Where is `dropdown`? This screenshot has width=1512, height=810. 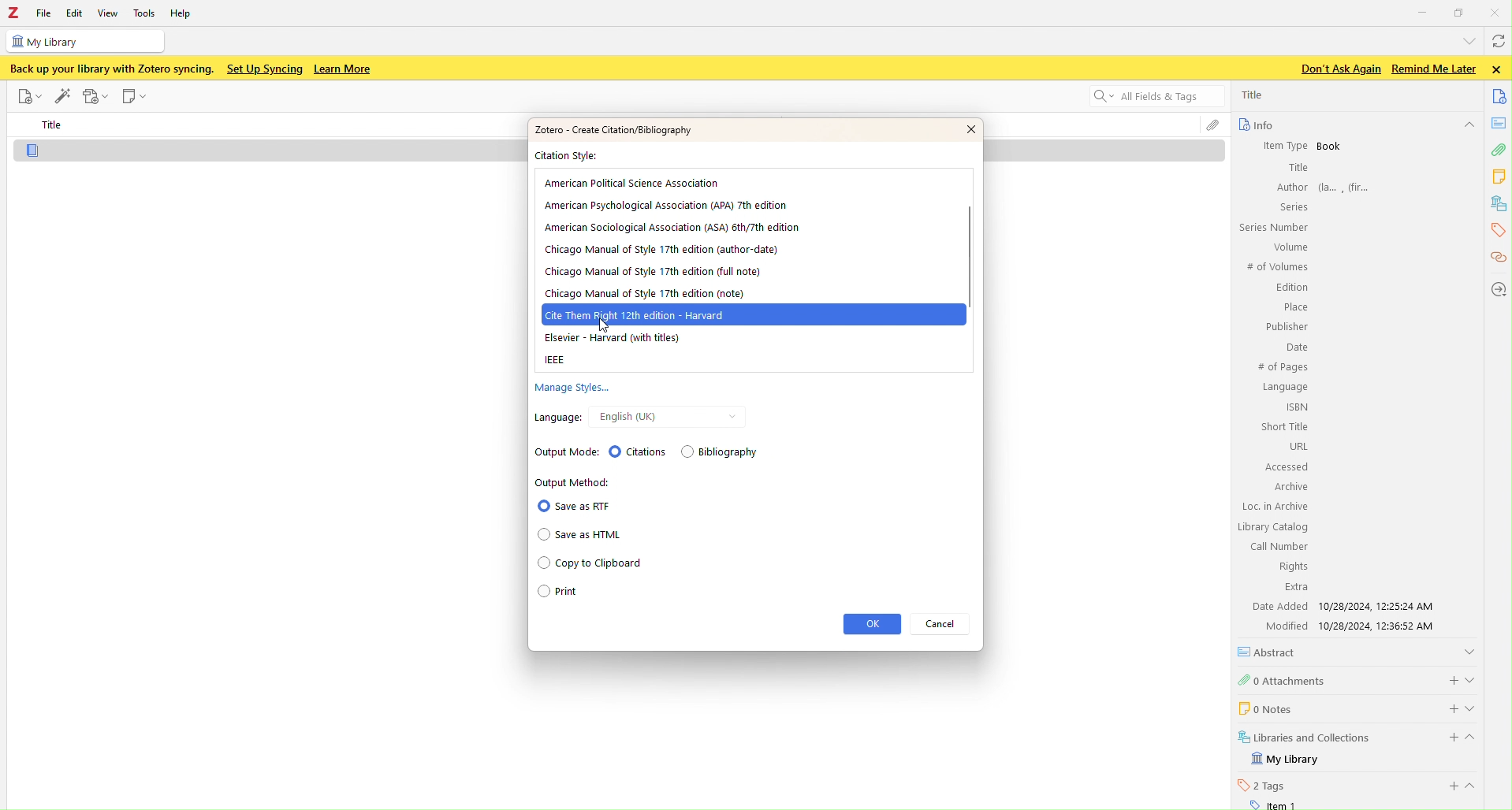 dropdown is located at coordinates (1466, 40).